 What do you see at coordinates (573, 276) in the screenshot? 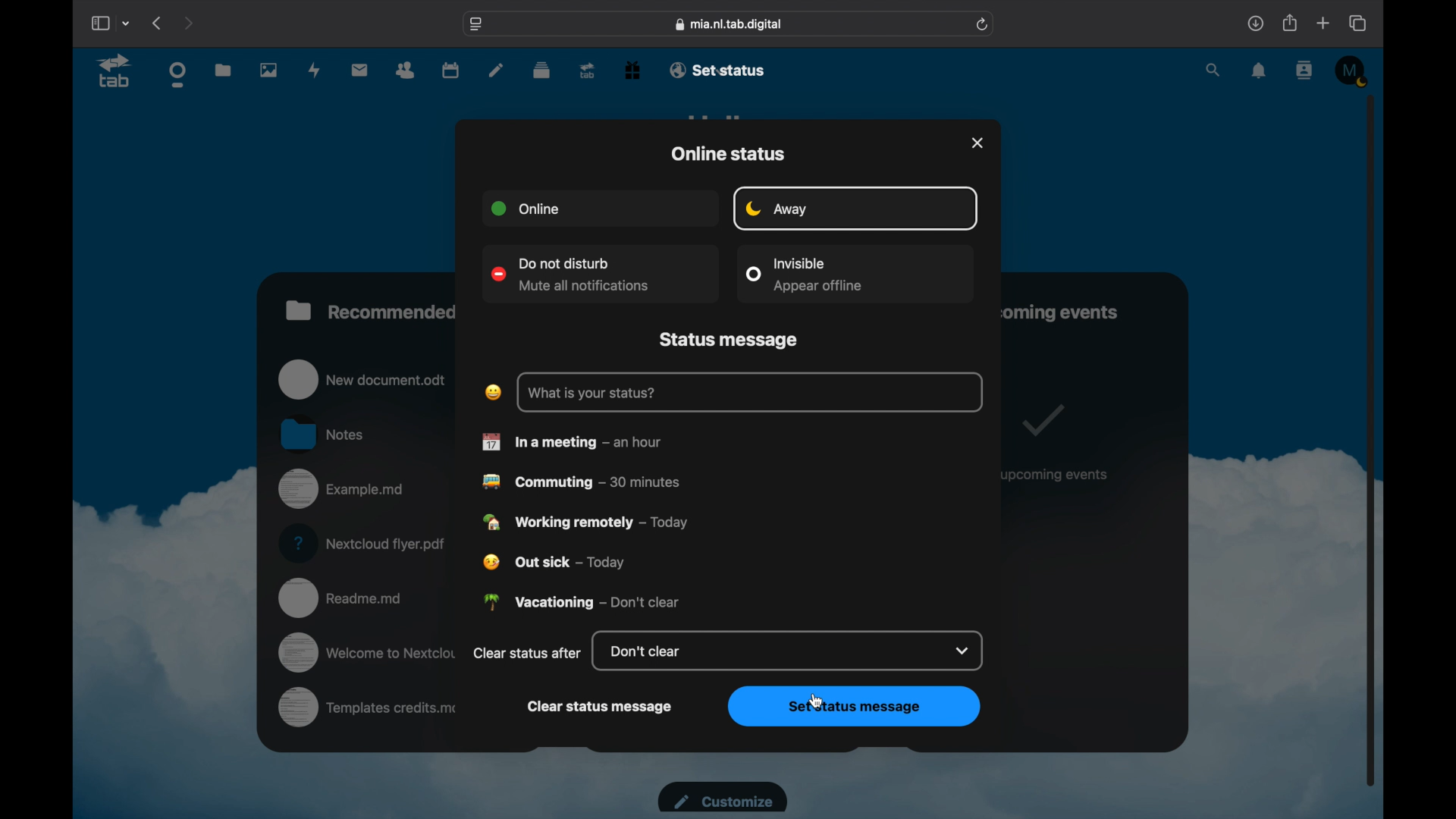
I see `do not disturb` at bounding box center [573, 276].